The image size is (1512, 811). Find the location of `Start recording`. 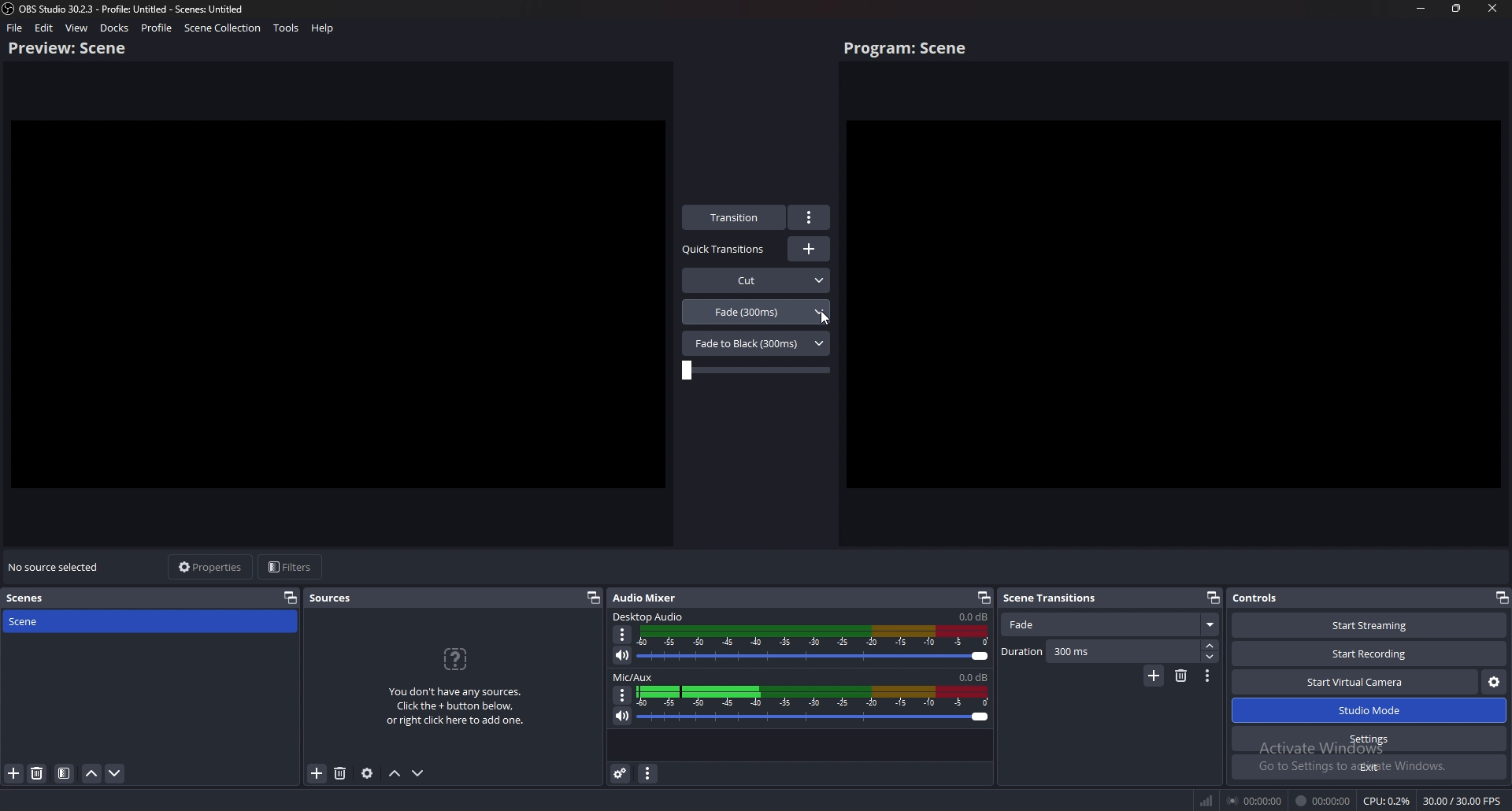

Start recording is located at coordinates (1370, 654).